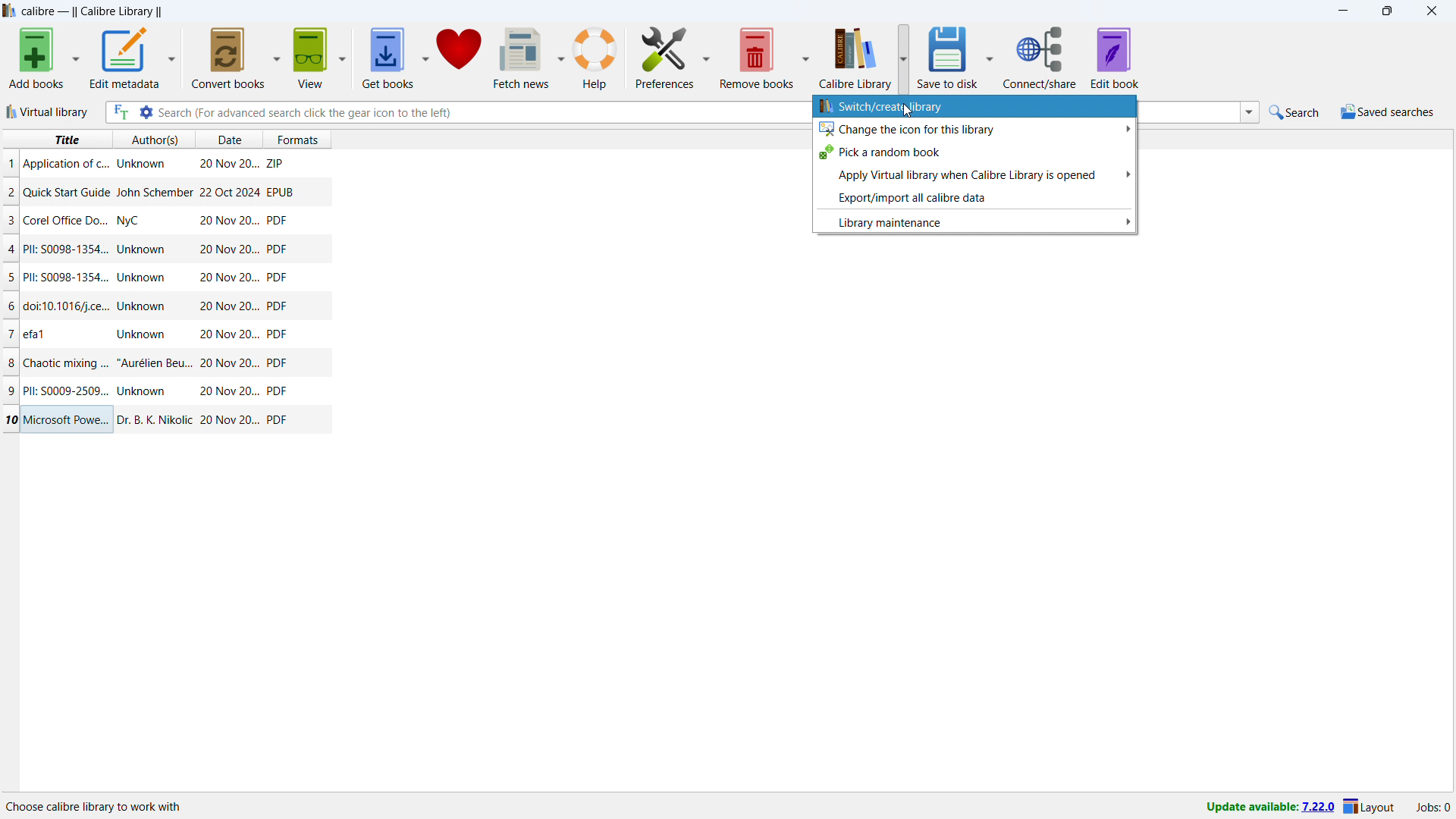 Image resolution: width=1456 pixels, height=819 pixels. Describe the element at coordinates (143, 250) in the screenshot. I see `Author` at that location.